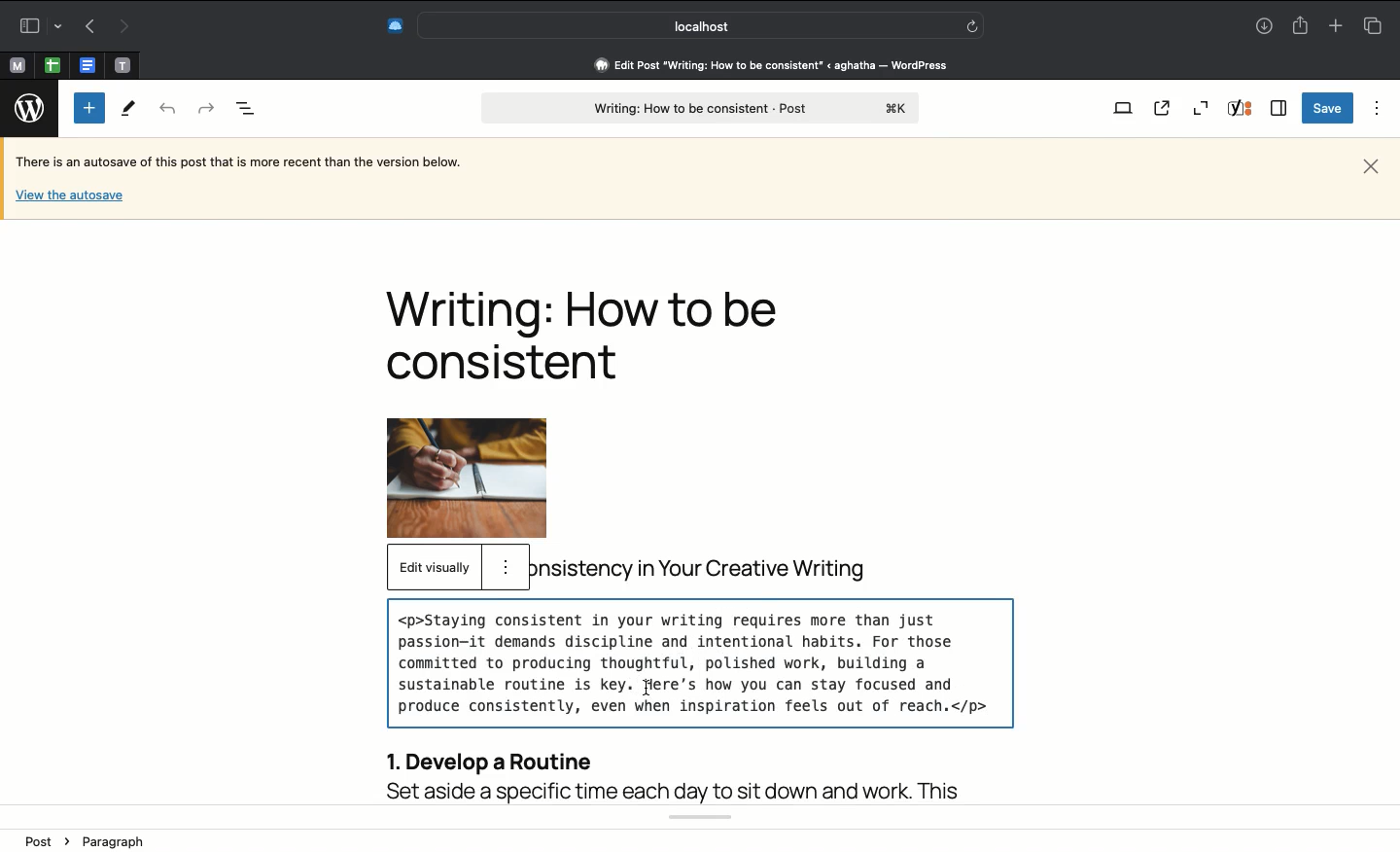 The height and width of the screenshot is (852, 1400). Describe the element at coordinates (1279, 108) in the screenshot. I see `Sidebar` at that location.